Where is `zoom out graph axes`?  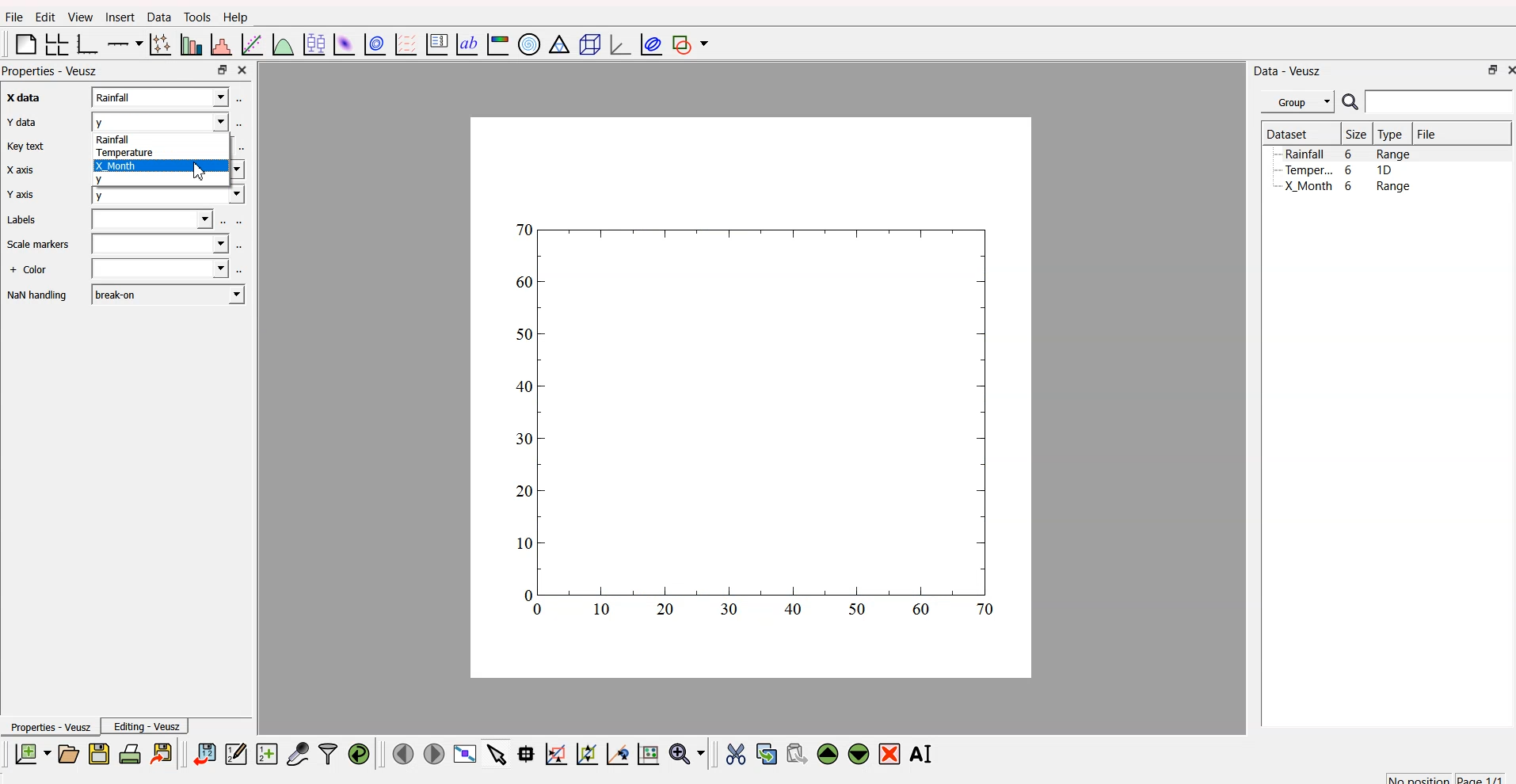 zoom out graph axes is located at coordinates (616, 754).